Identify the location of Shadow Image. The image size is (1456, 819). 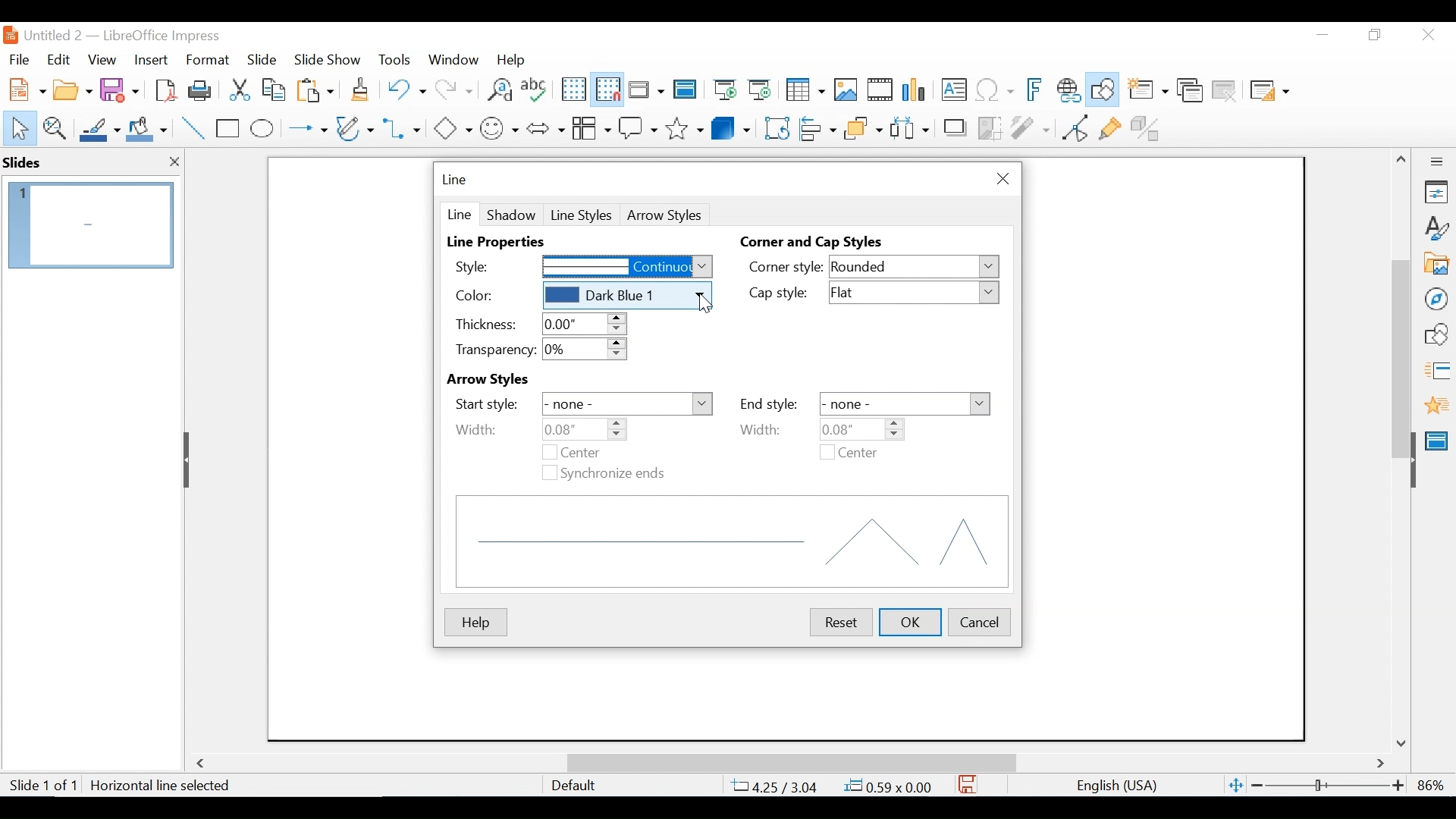
(956, 127).